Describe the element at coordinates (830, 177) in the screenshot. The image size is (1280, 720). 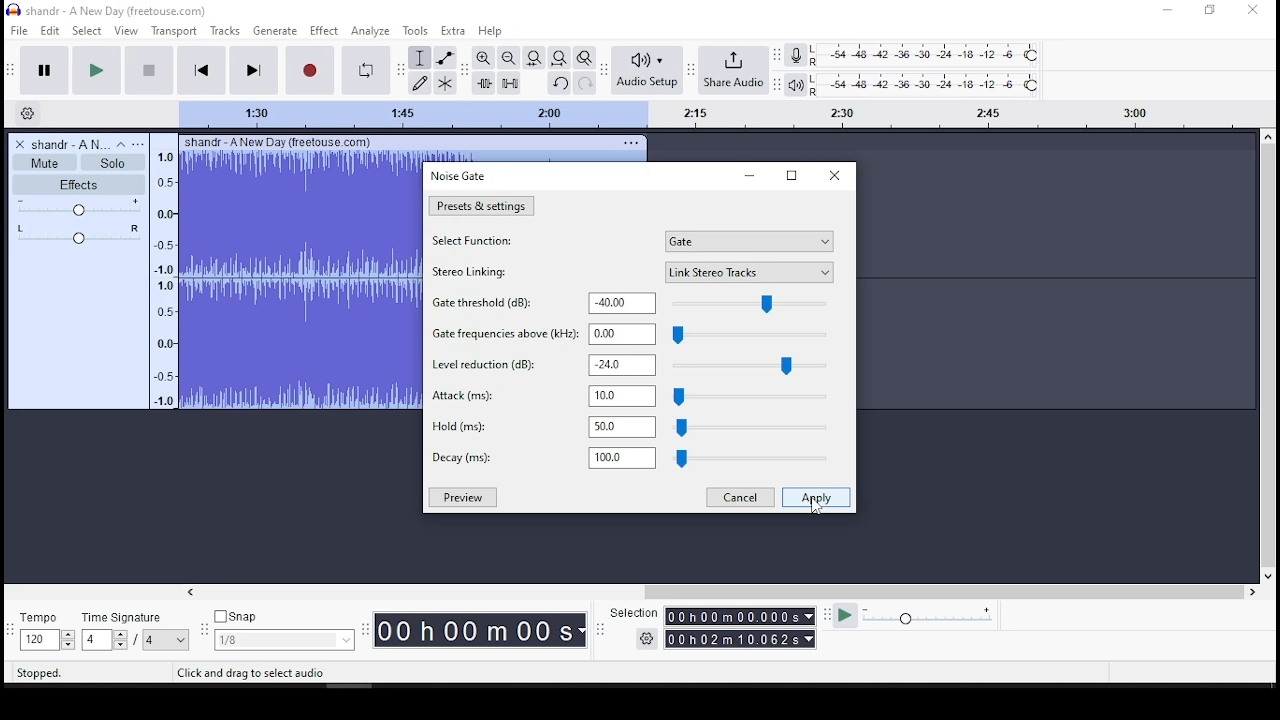
I see `restore` at that location.